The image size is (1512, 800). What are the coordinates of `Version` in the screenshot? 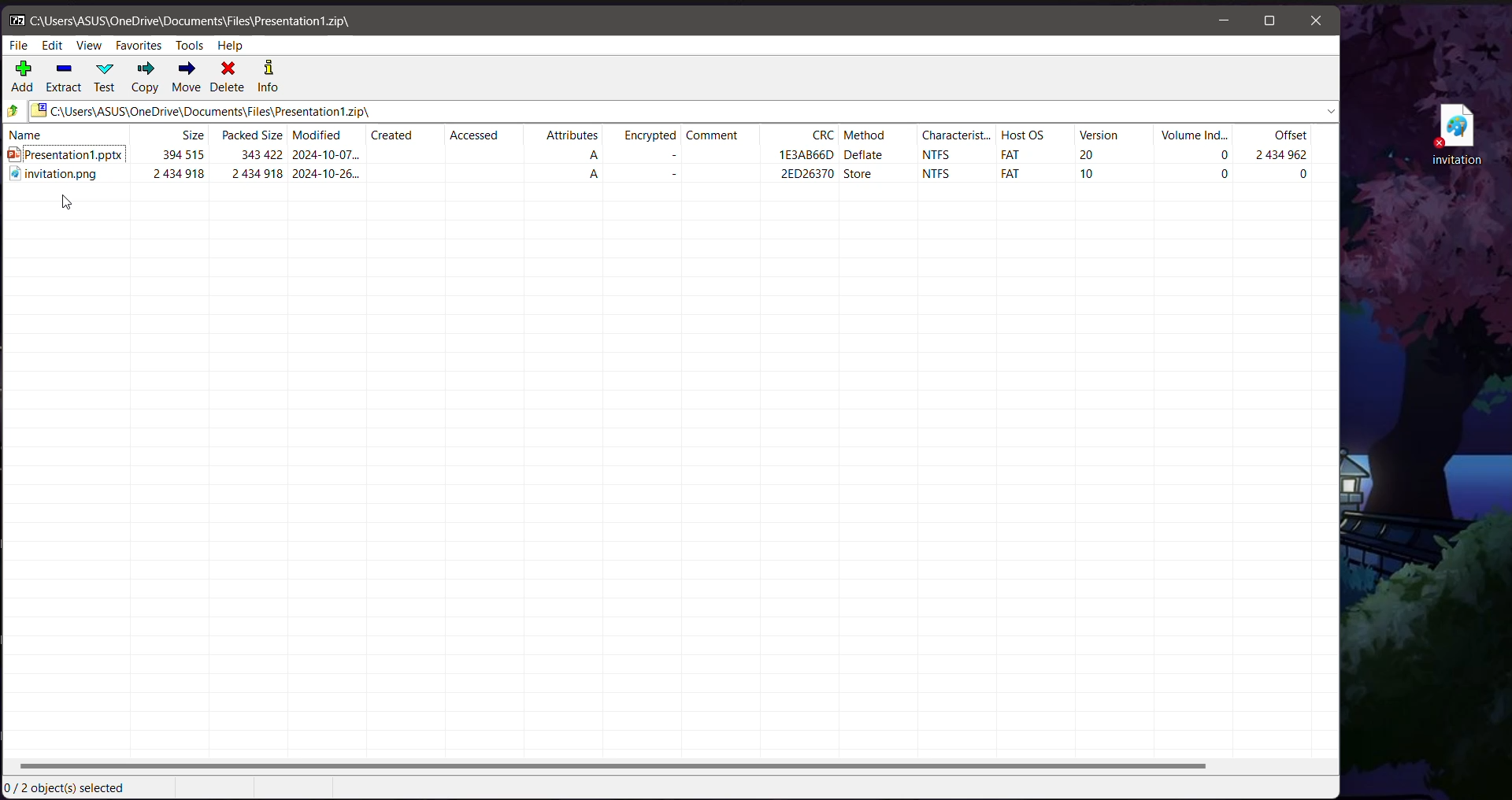 It's located at (1117, 134).